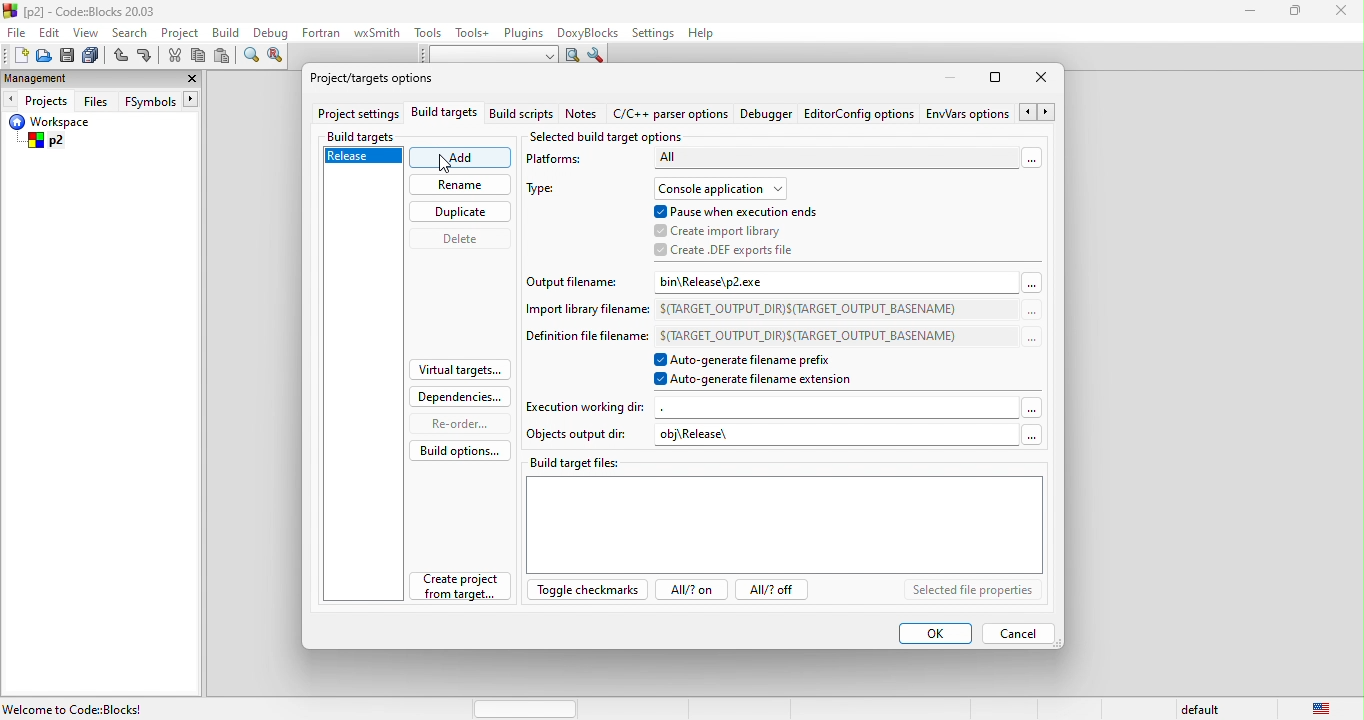 The height and width of the screenshot is (720, 1364). I want to click on console application, so click(728, 188).